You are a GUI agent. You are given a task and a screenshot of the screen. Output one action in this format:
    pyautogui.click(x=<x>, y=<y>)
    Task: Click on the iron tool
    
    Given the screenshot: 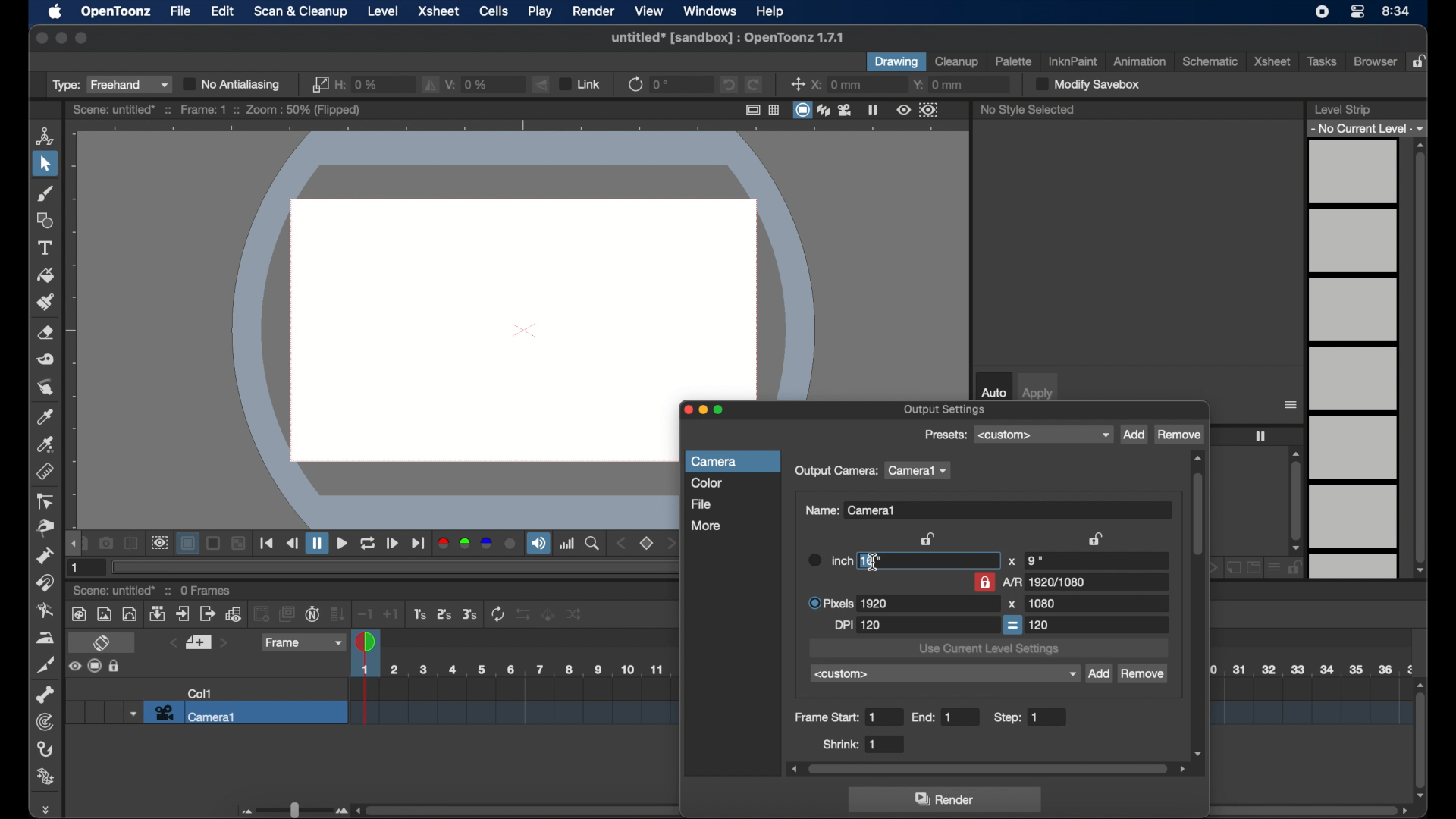 What is the action you would take?
    pyautogui.click(x=45, y=638)
    